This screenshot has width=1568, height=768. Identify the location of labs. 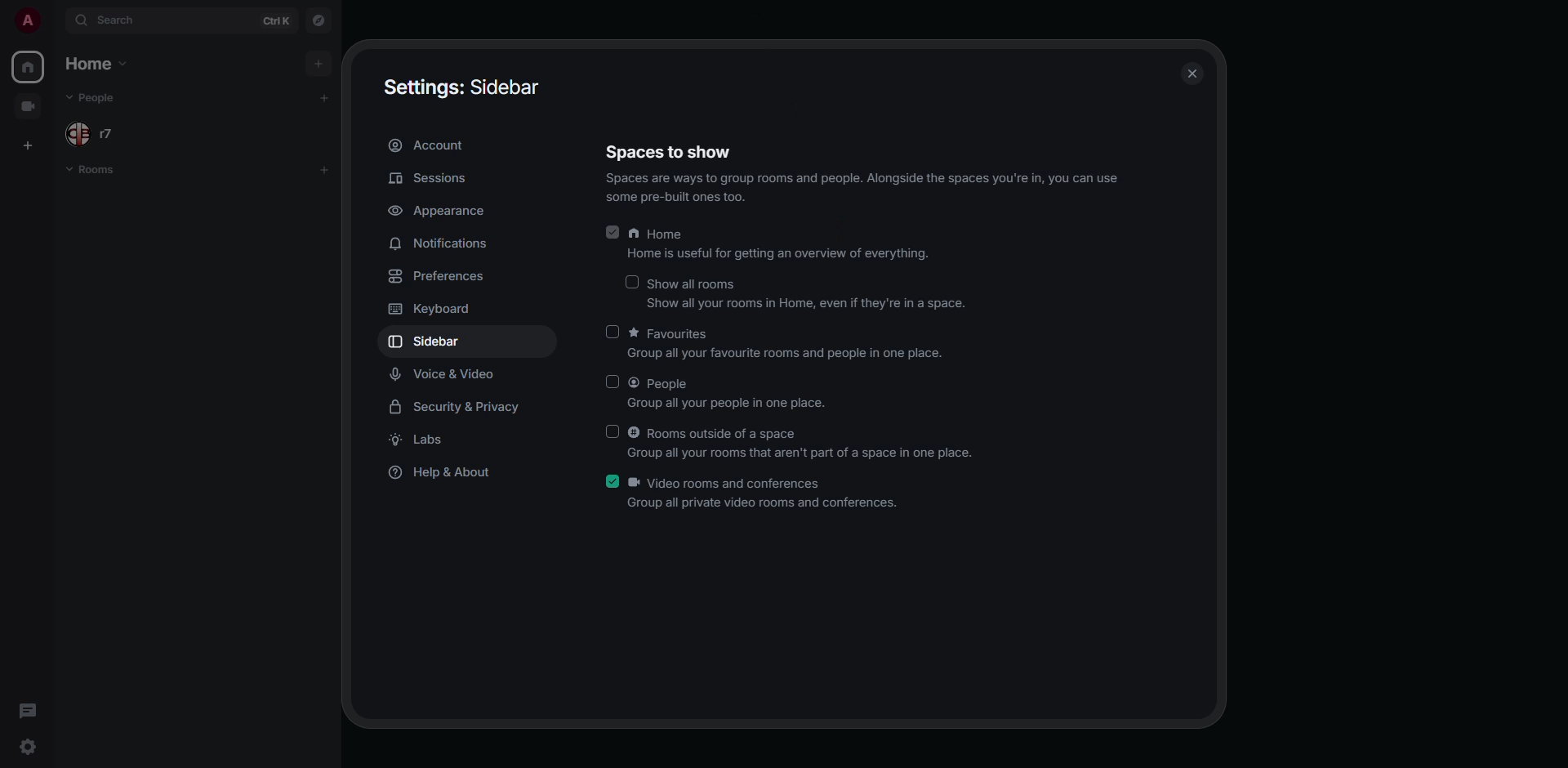
(421, 441).